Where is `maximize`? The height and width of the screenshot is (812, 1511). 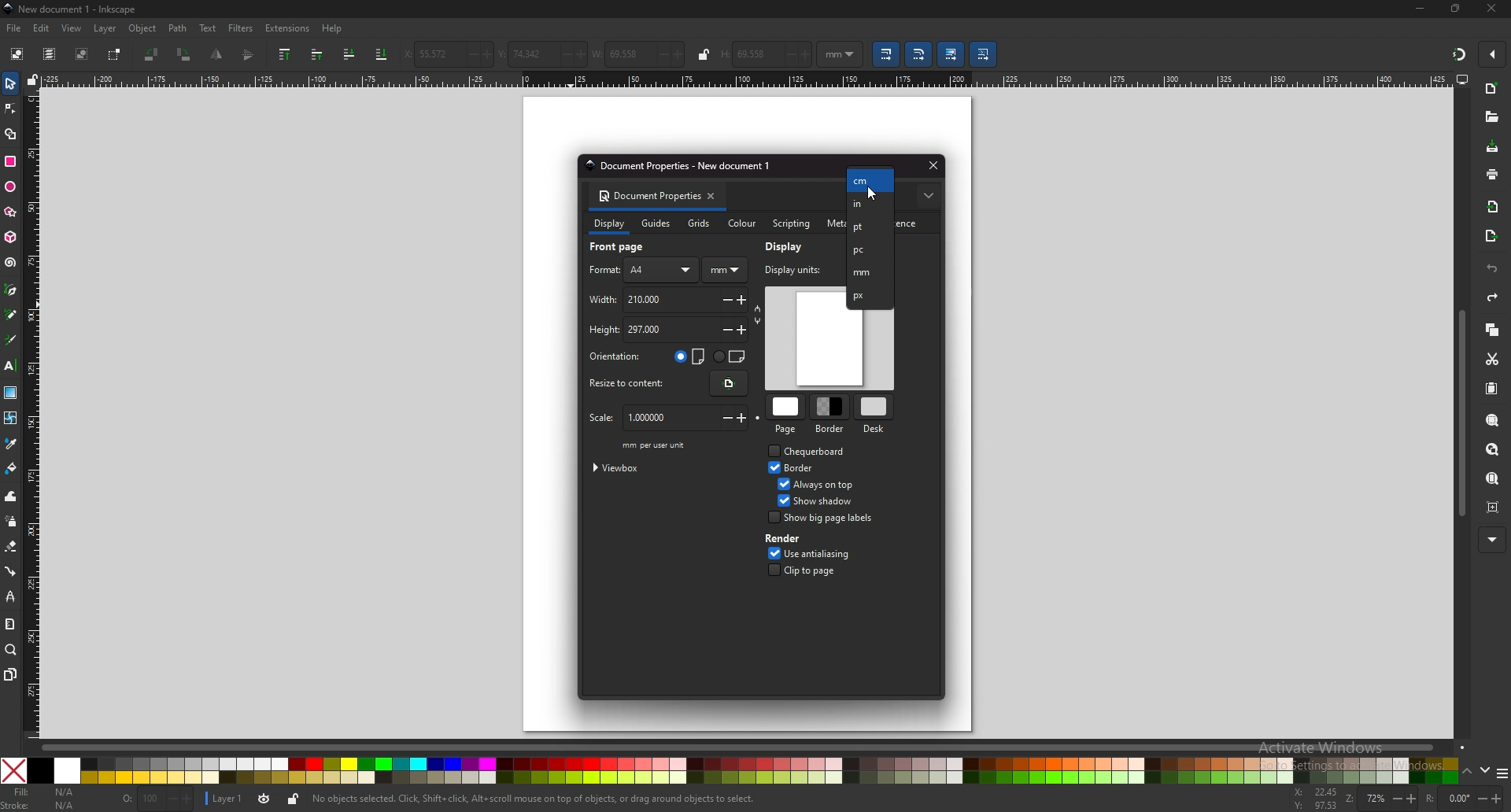 maximize is located at coordinates (1456, 9).